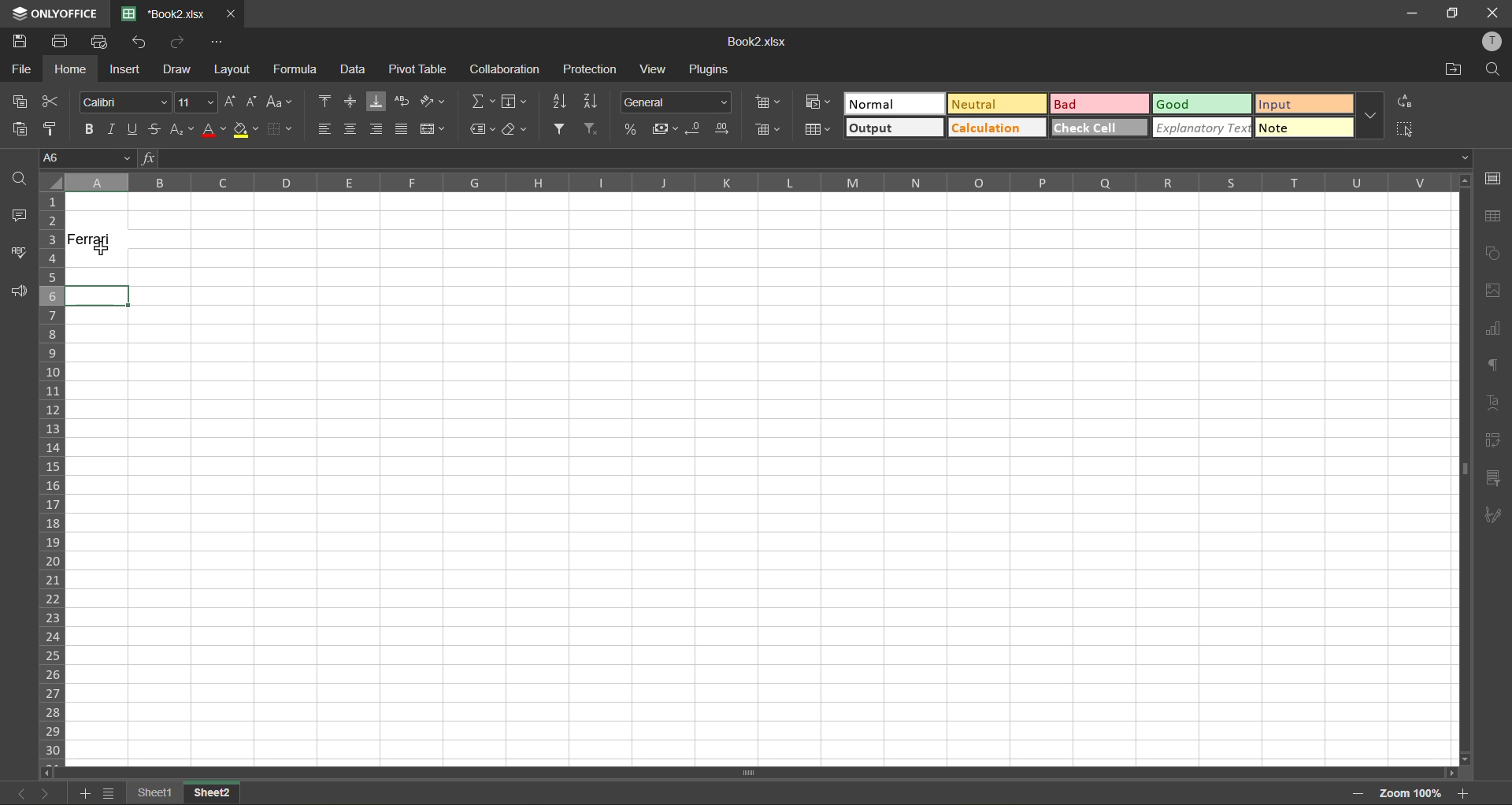 The image size is (1512, 805). I want to click on paste, so click(18, 129).